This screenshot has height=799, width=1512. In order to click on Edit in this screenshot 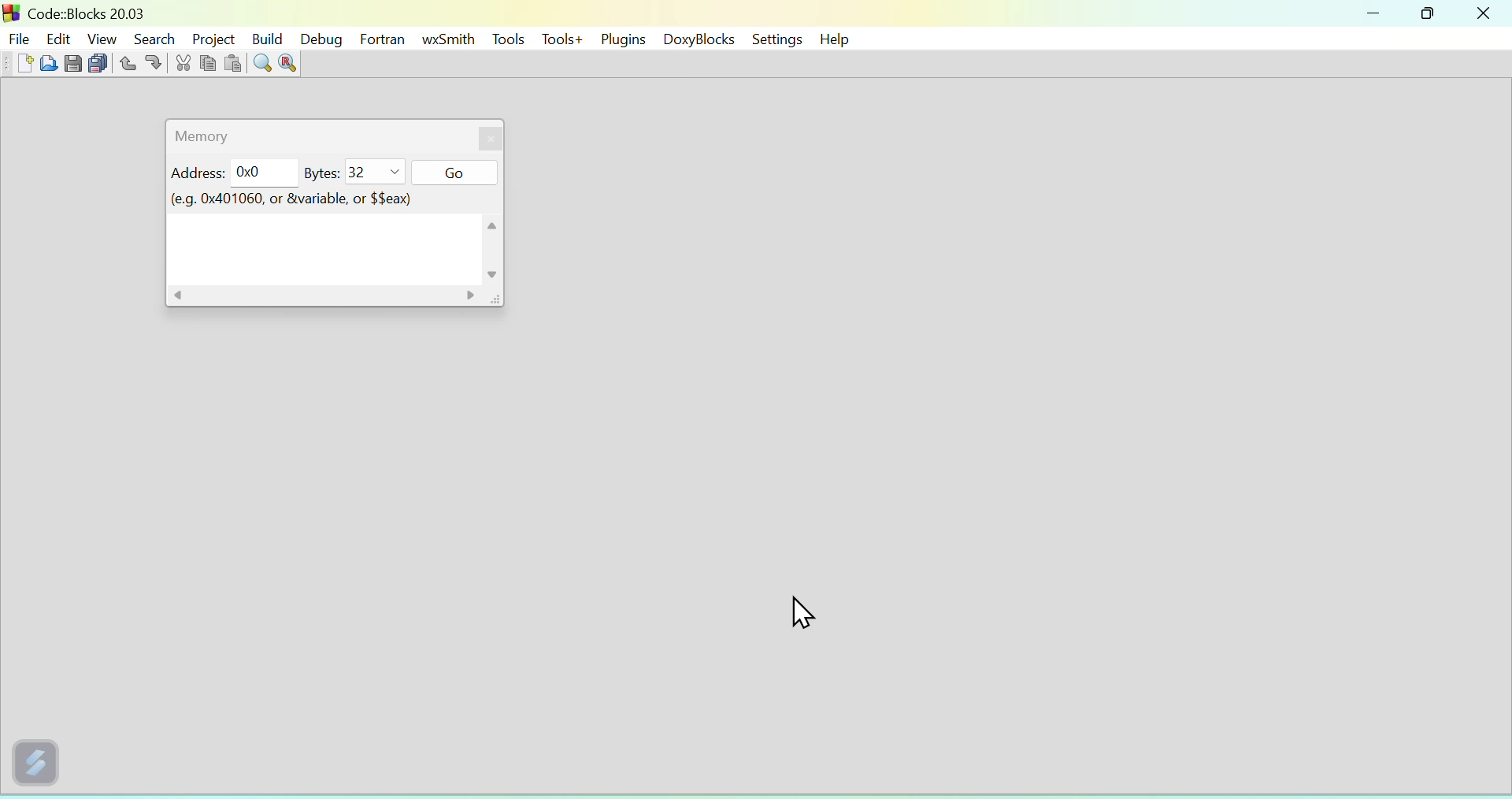, I will do `click(61, 38)`.